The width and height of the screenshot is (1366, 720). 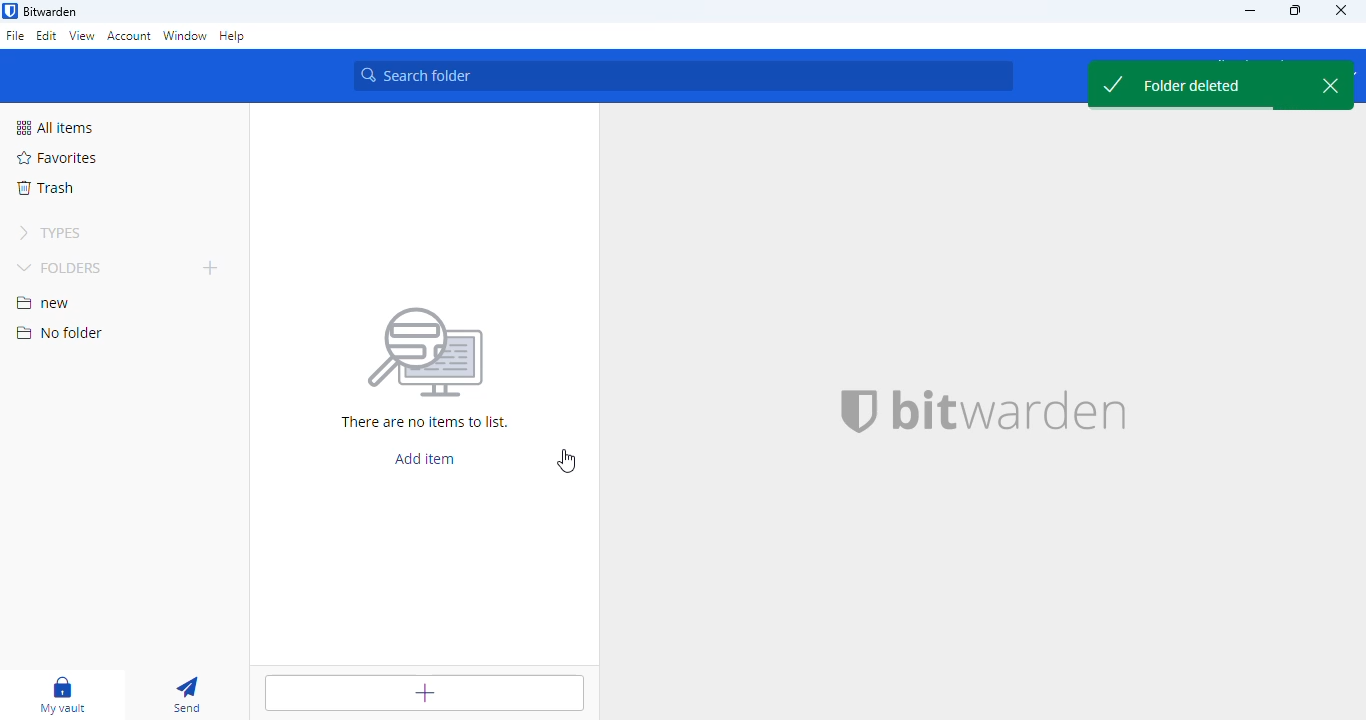 I want to click on edit, so click(x=47, y=37).